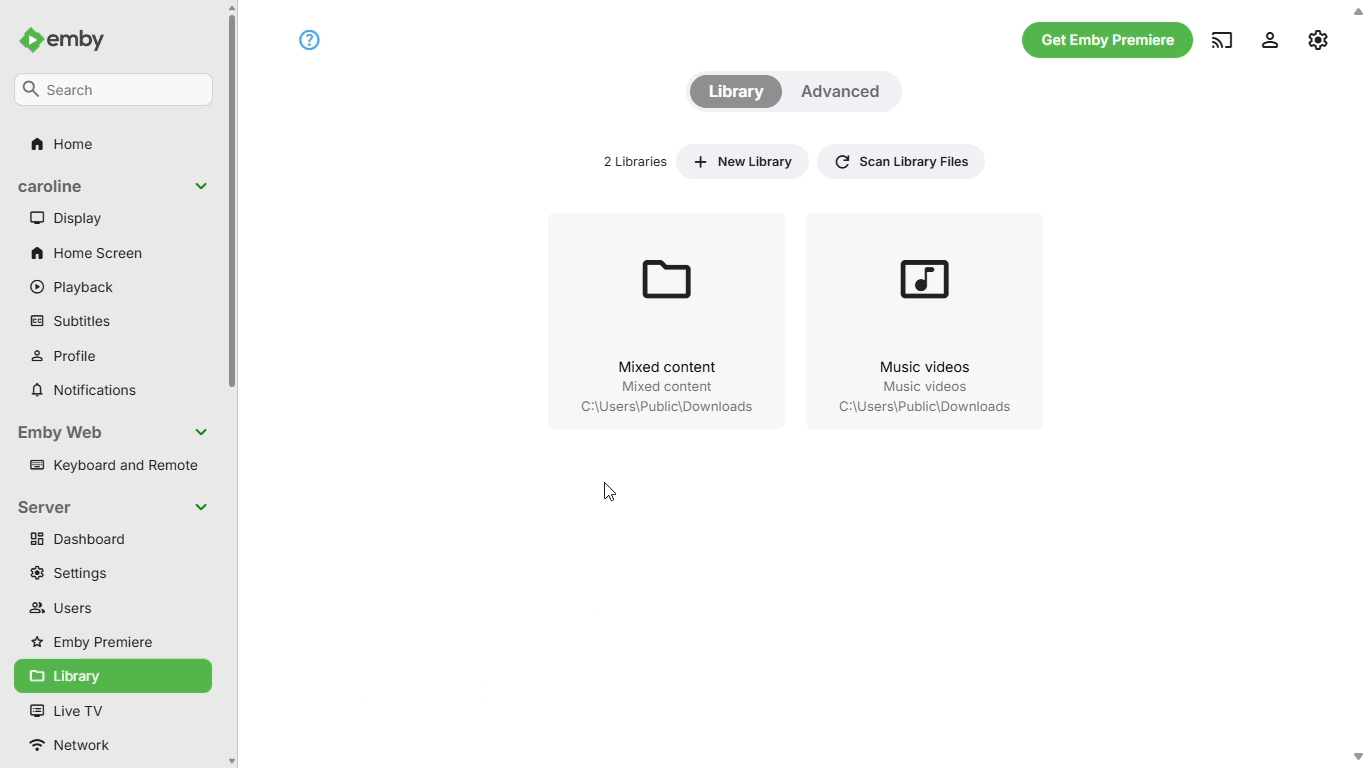  What do you see at coordinates (201, 506) in the screenshot?
I see `toggle collapse` at bounding box center [201, 506].